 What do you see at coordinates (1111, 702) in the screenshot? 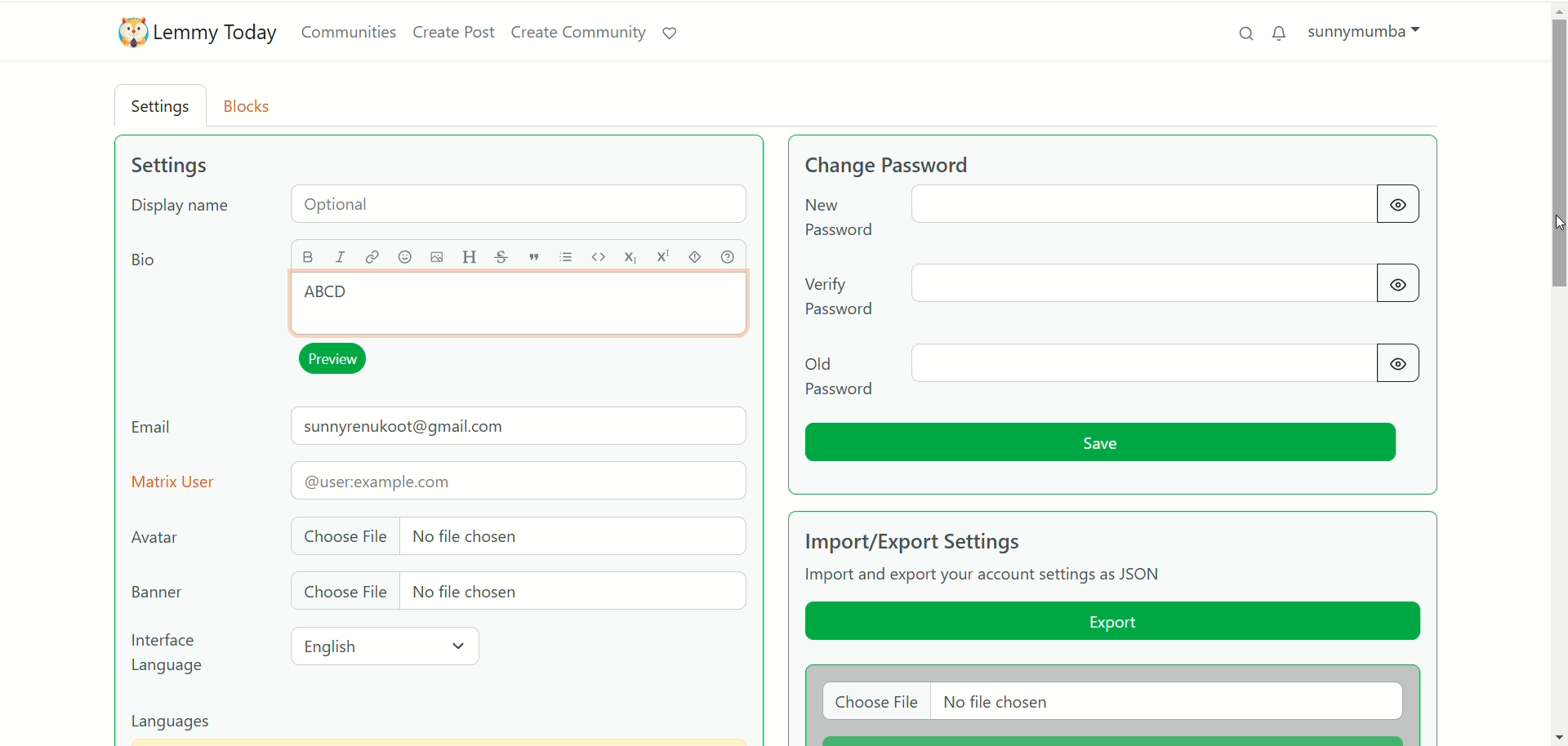
I see `choose file` at bounding box center [1111, 702].